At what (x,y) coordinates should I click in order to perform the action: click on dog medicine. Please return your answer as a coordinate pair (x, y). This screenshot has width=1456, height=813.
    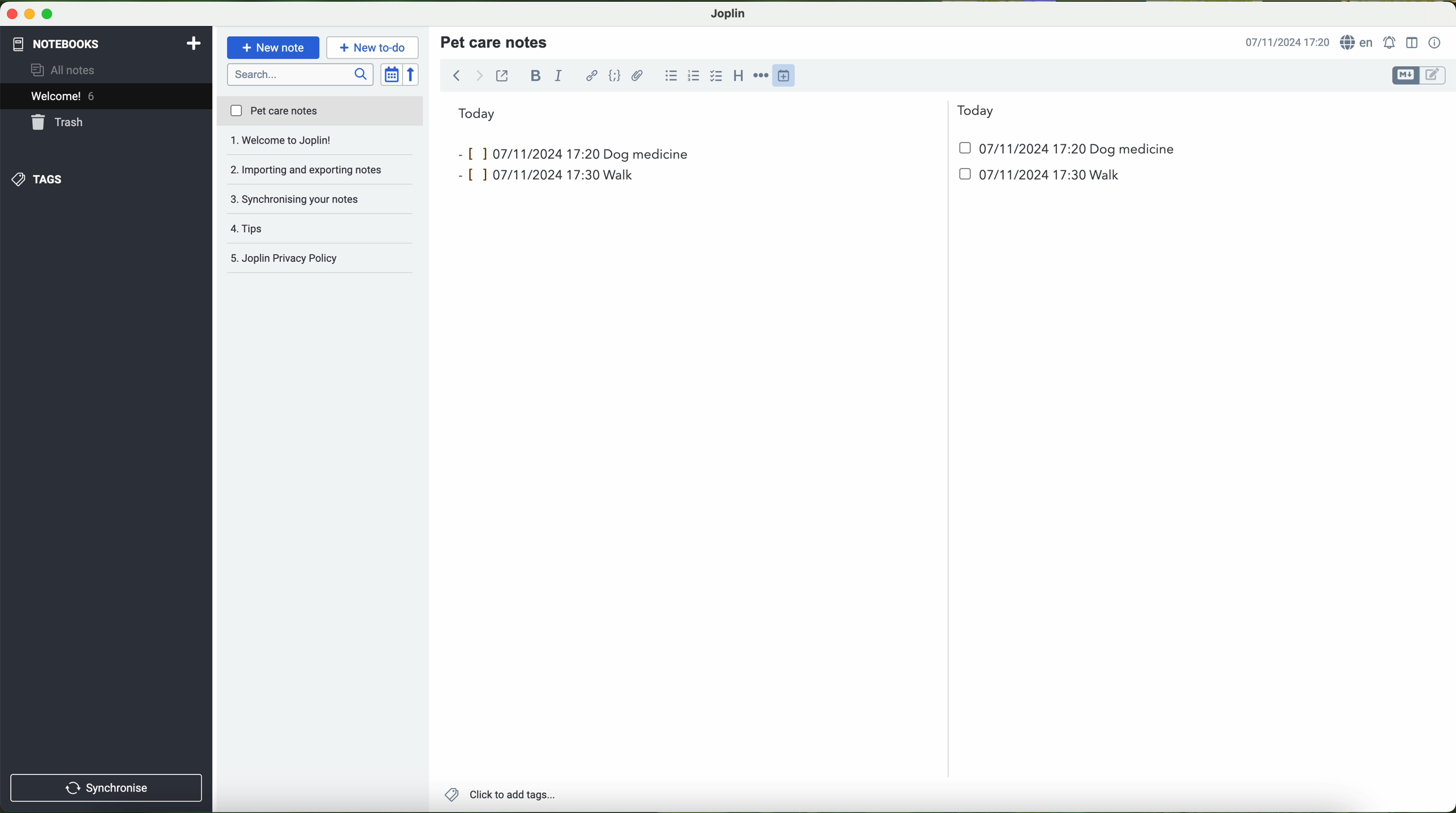
    Looking at the image, I should click on (1133, 150).